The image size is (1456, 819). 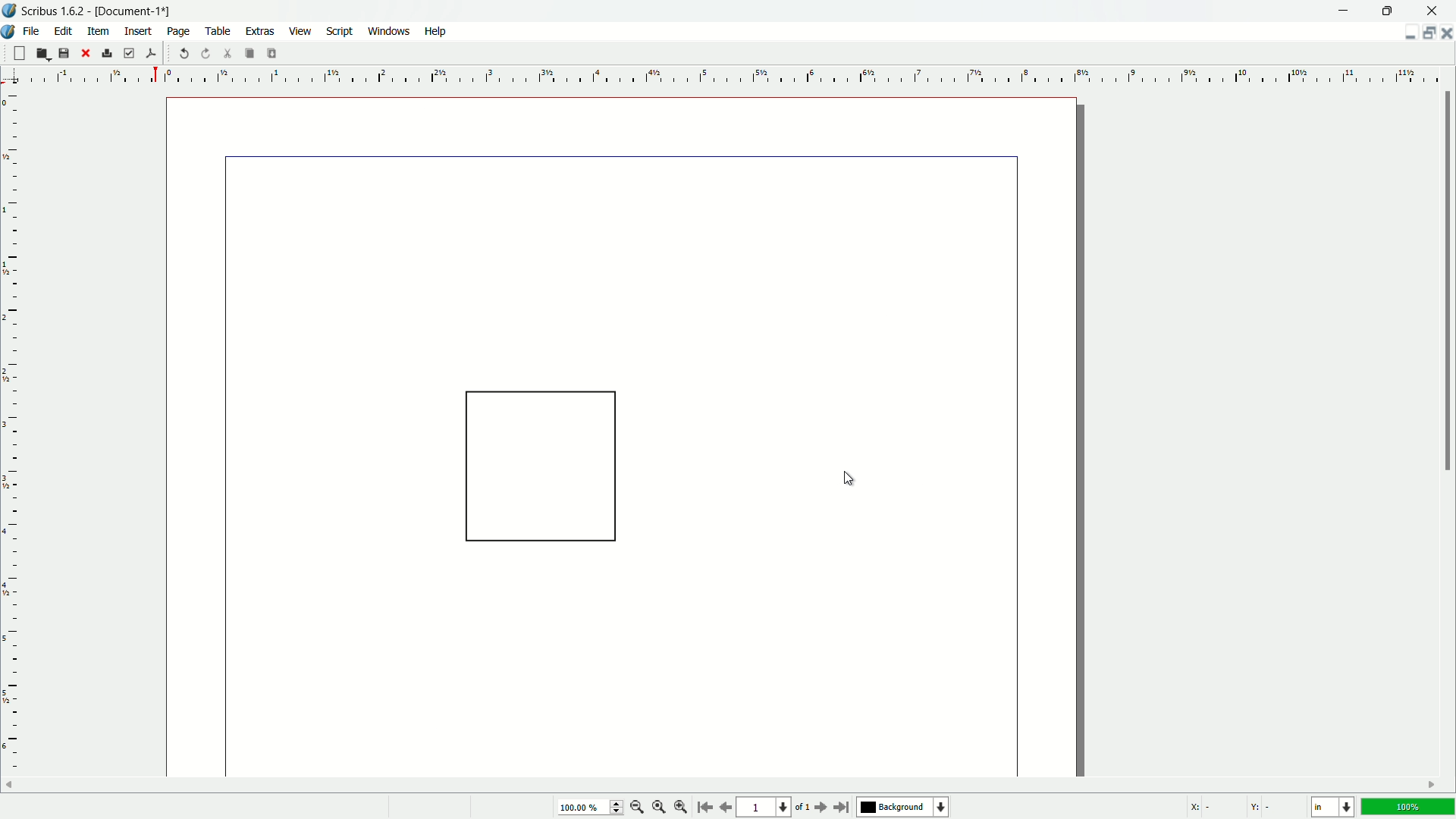 I want to click on script menu, so click(x=340, y=32).